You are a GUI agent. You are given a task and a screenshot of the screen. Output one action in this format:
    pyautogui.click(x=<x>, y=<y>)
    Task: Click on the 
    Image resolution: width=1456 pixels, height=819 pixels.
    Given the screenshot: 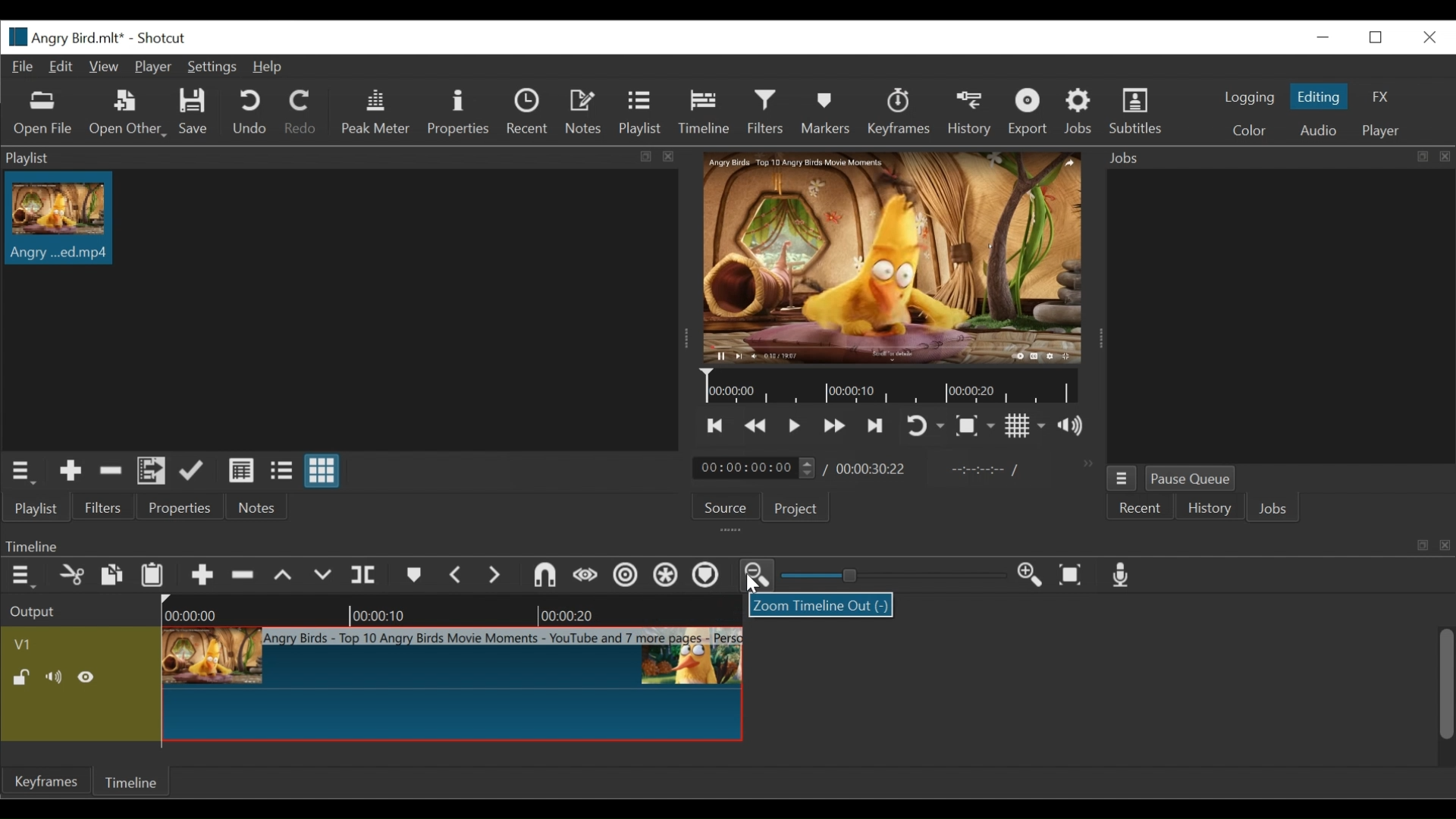 What is the action you would take?
    pyautogui.click(x=1432, y=39)
    